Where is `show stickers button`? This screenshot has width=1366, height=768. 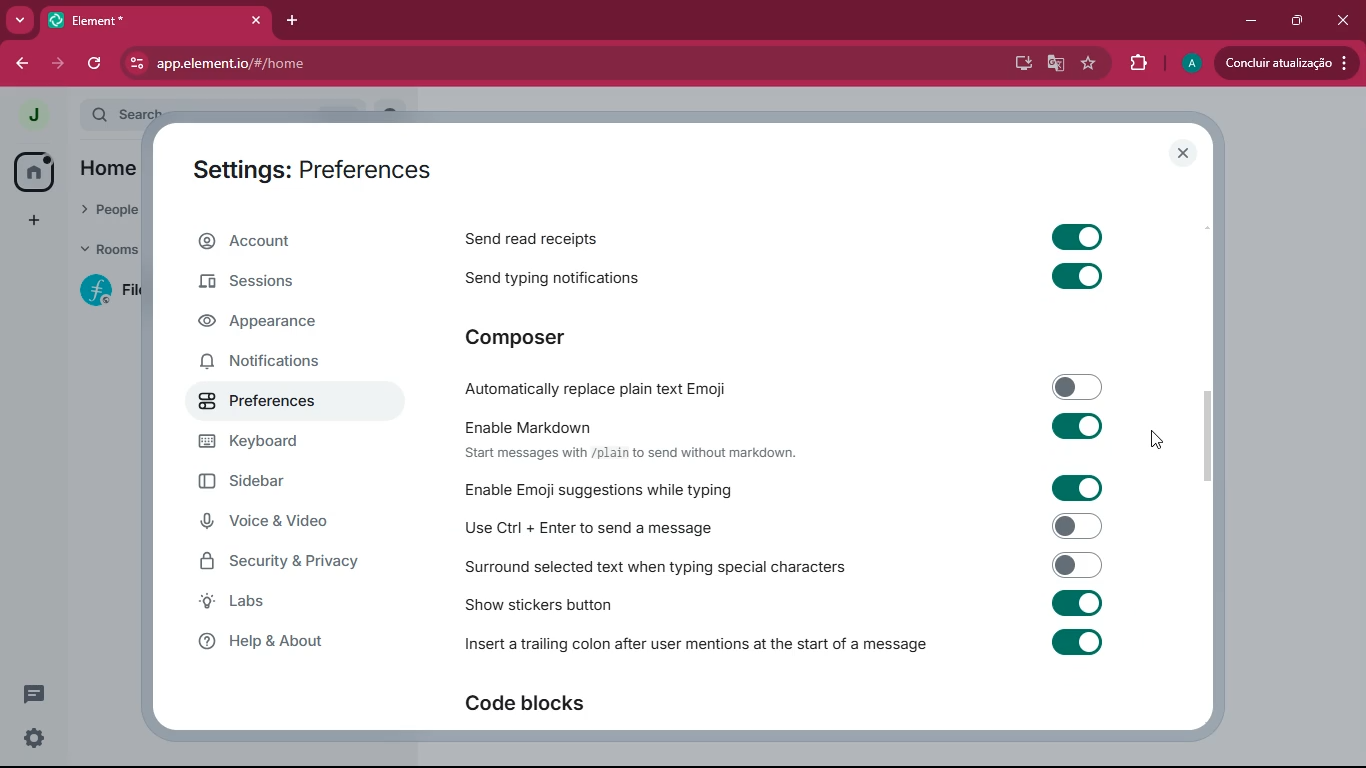
show stickers button is located at coordinates (540, 607).